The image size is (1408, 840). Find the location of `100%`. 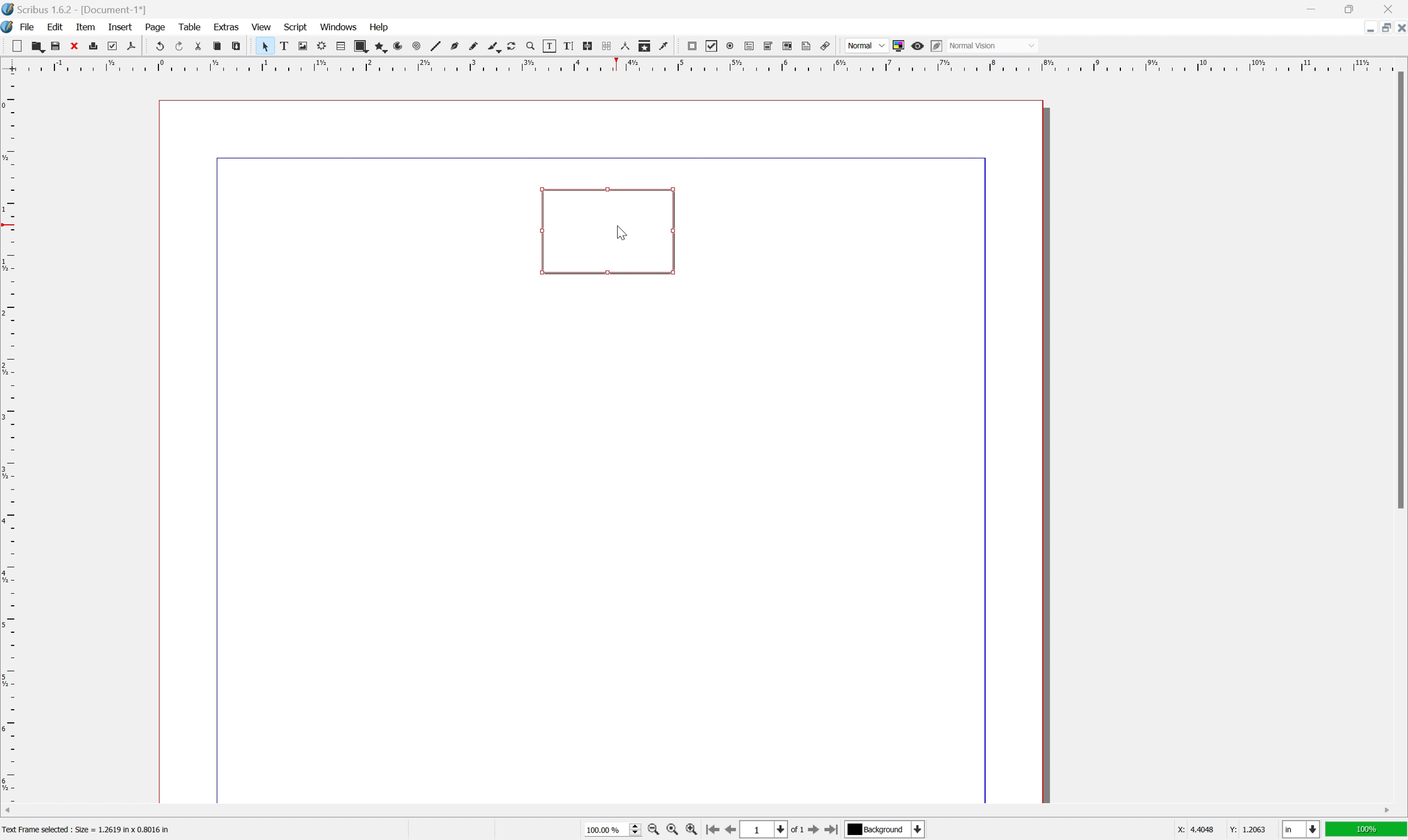

100% is located at coordinates (1367, 831).